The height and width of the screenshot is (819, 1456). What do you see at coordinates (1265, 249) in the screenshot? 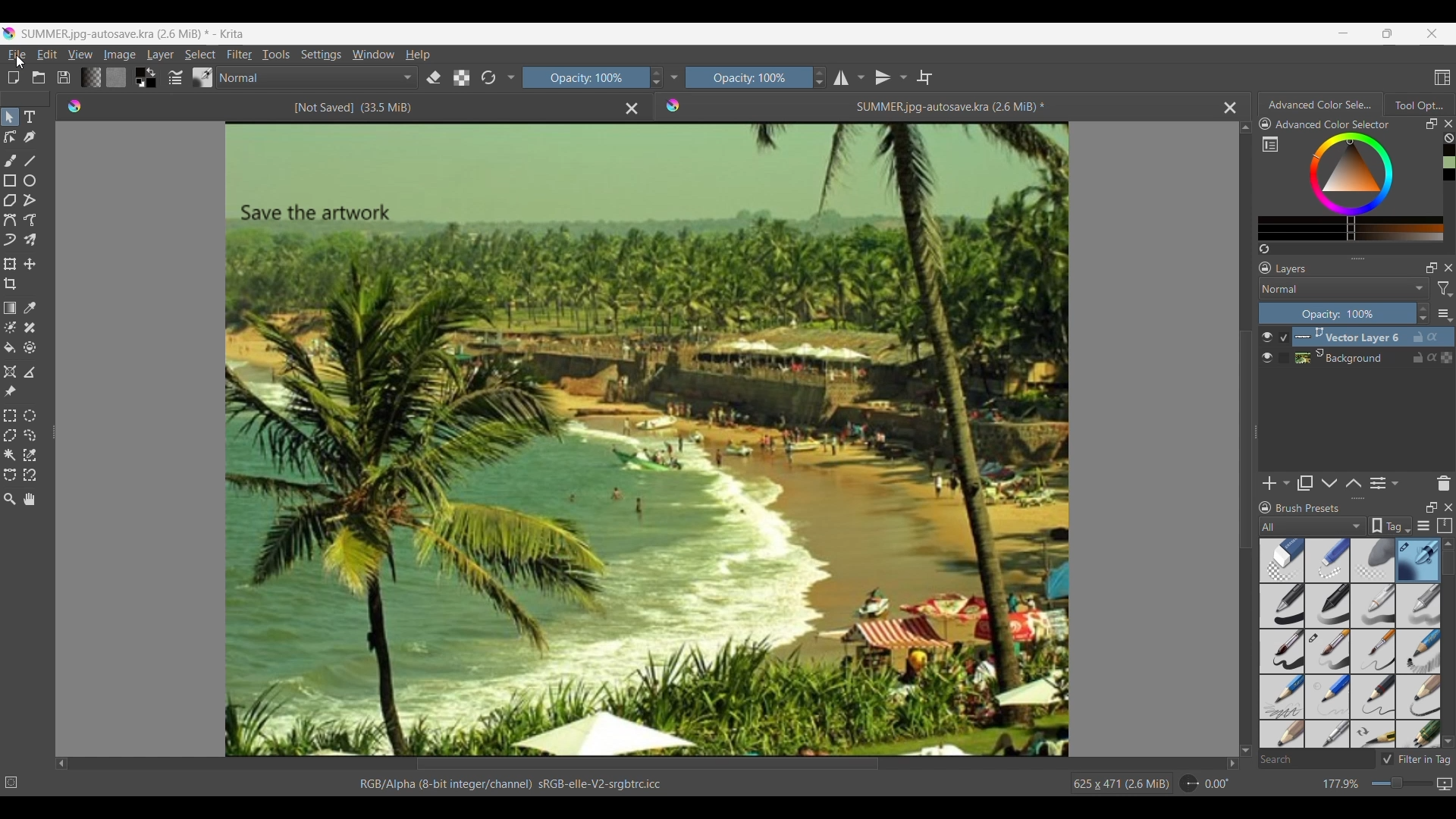
I see `Create a list of colors from the image` at bounding box center [1265, 249].